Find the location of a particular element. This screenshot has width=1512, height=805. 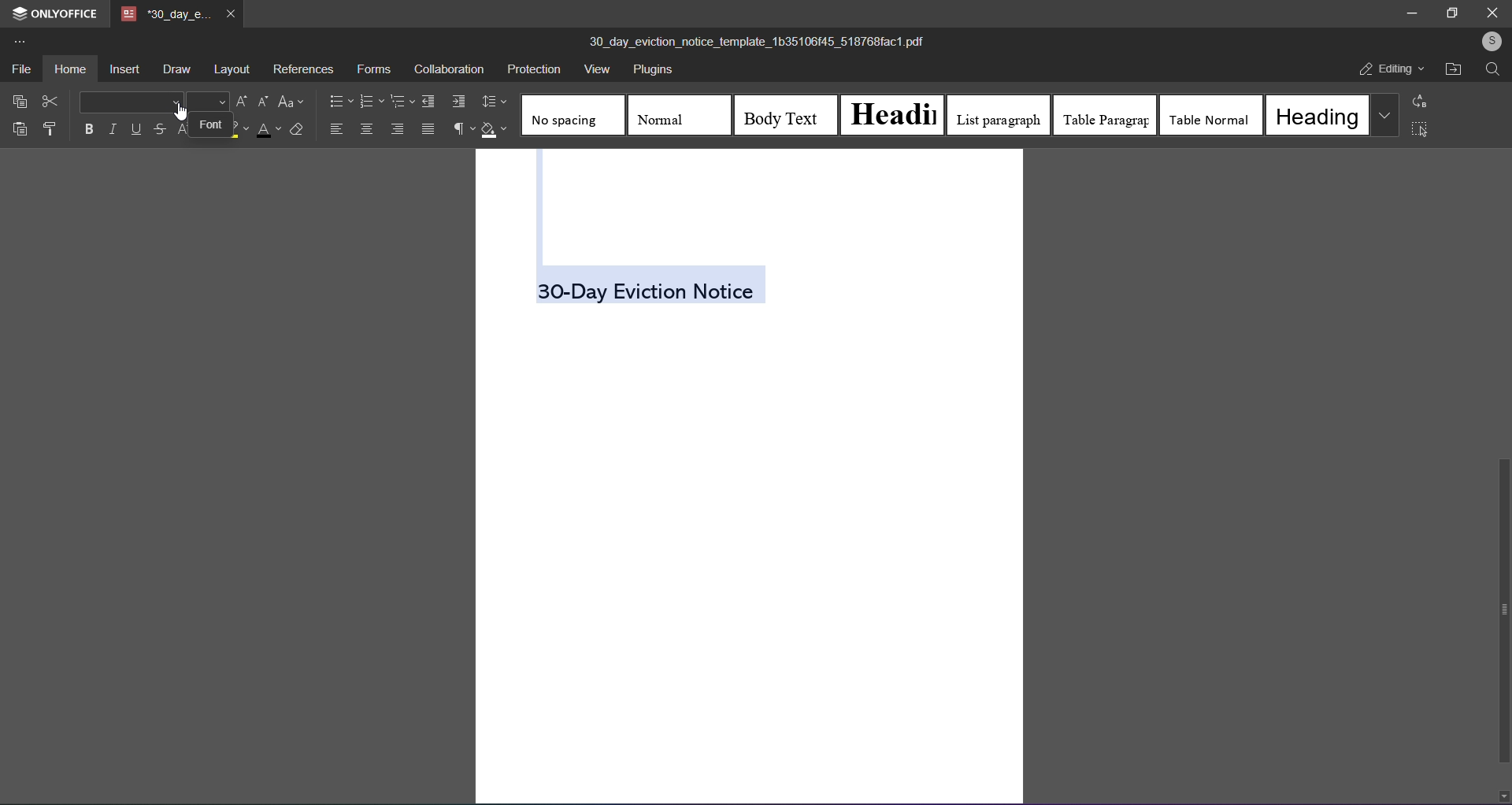

view is located at coordinates (595, 71).